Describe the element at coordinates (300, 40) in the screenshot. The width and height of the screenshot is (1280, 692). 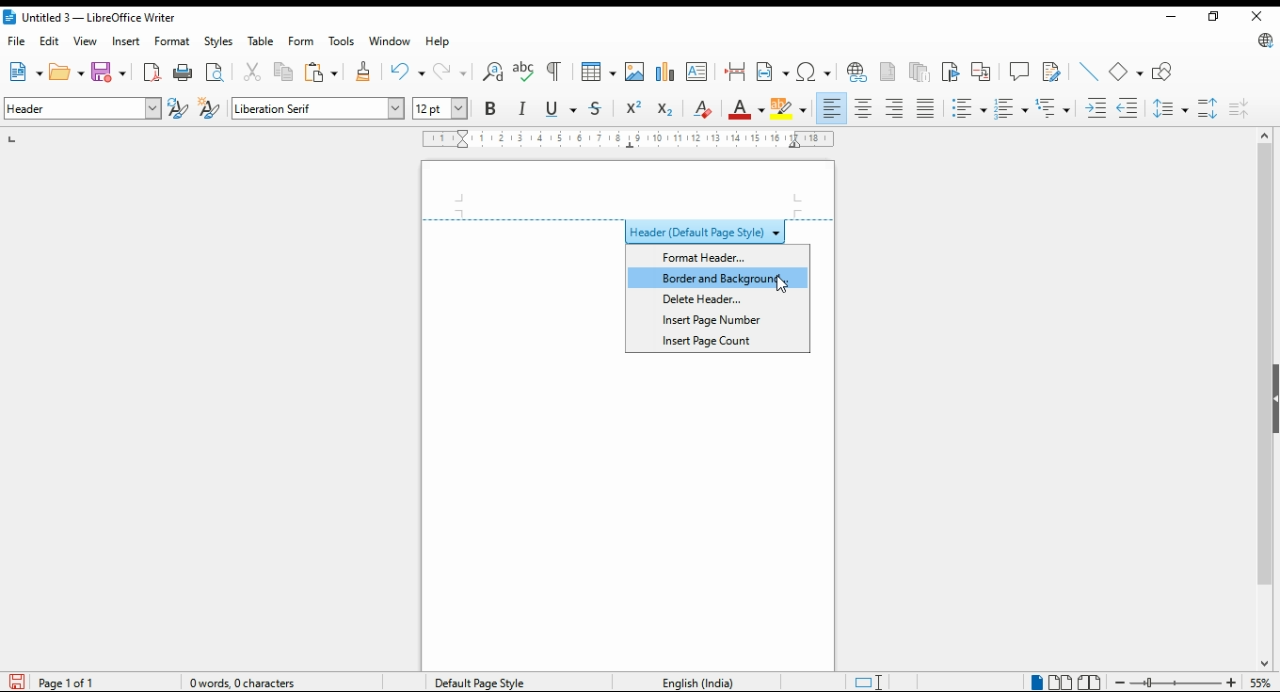
I see `form` at that location.